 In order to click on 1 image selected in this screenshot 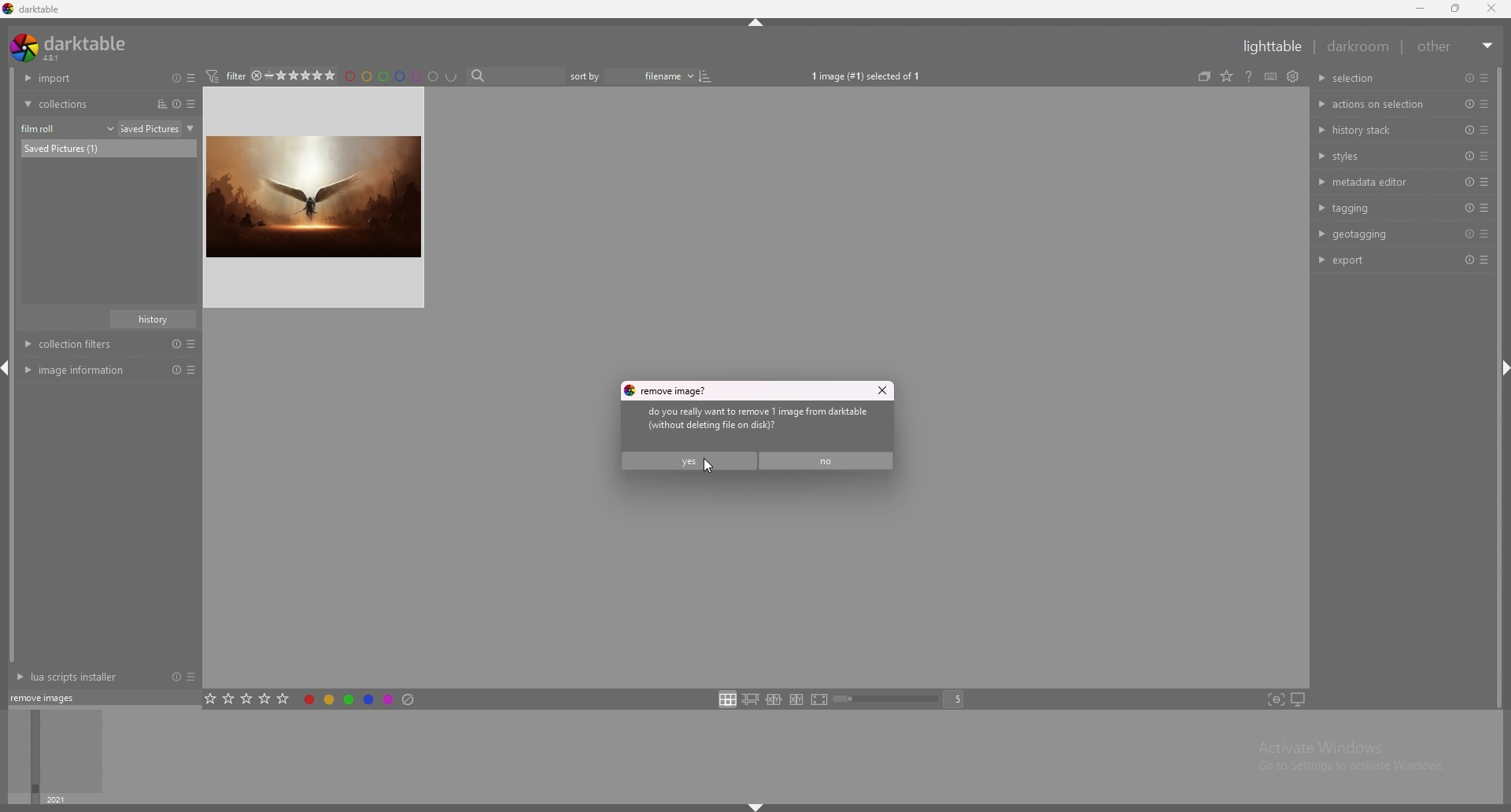, I will do `click(872, 76)`.